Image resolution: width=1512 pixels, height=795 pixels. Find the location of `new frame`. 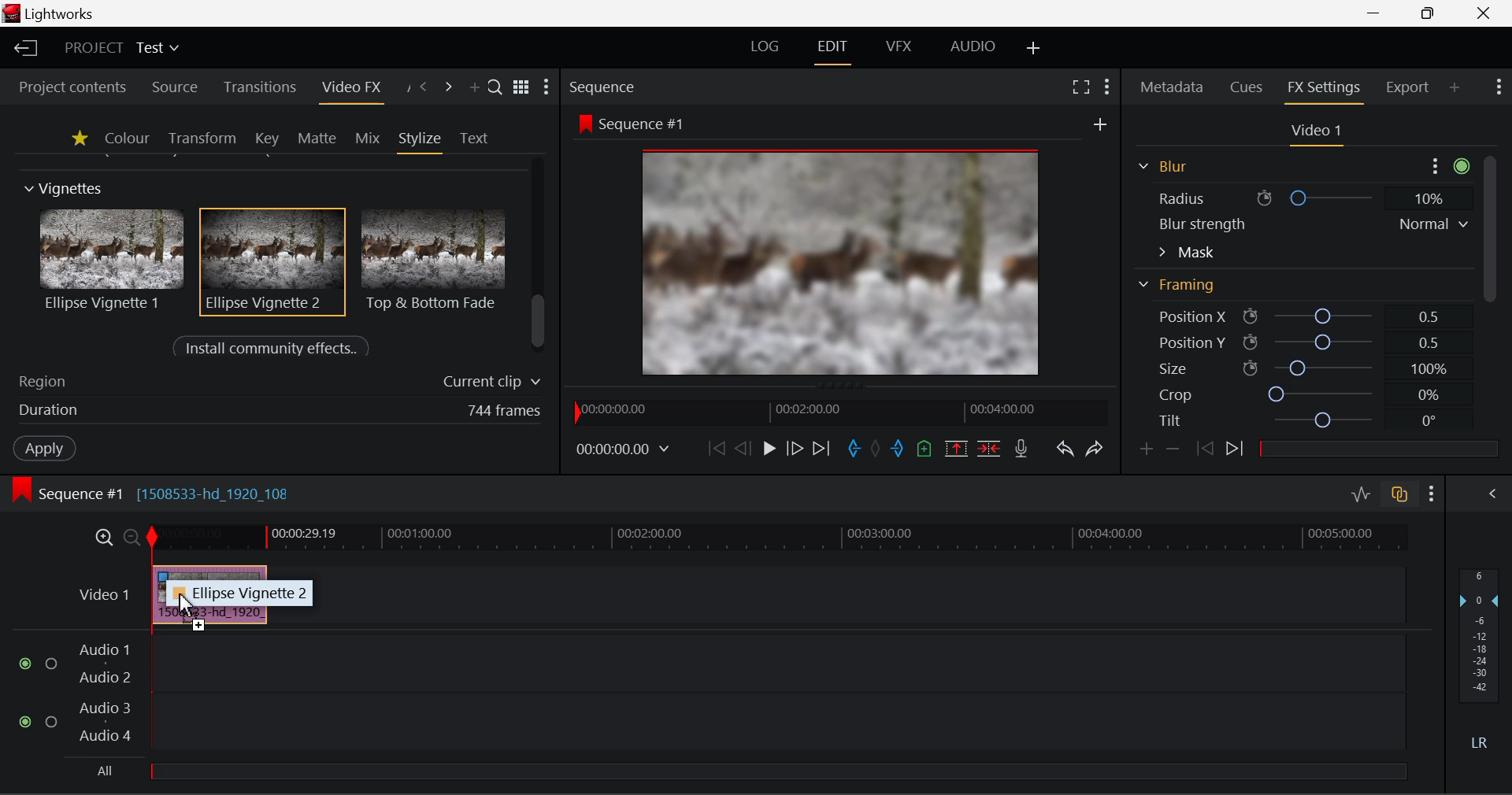

new frame is located at coordinates (1102, 124).